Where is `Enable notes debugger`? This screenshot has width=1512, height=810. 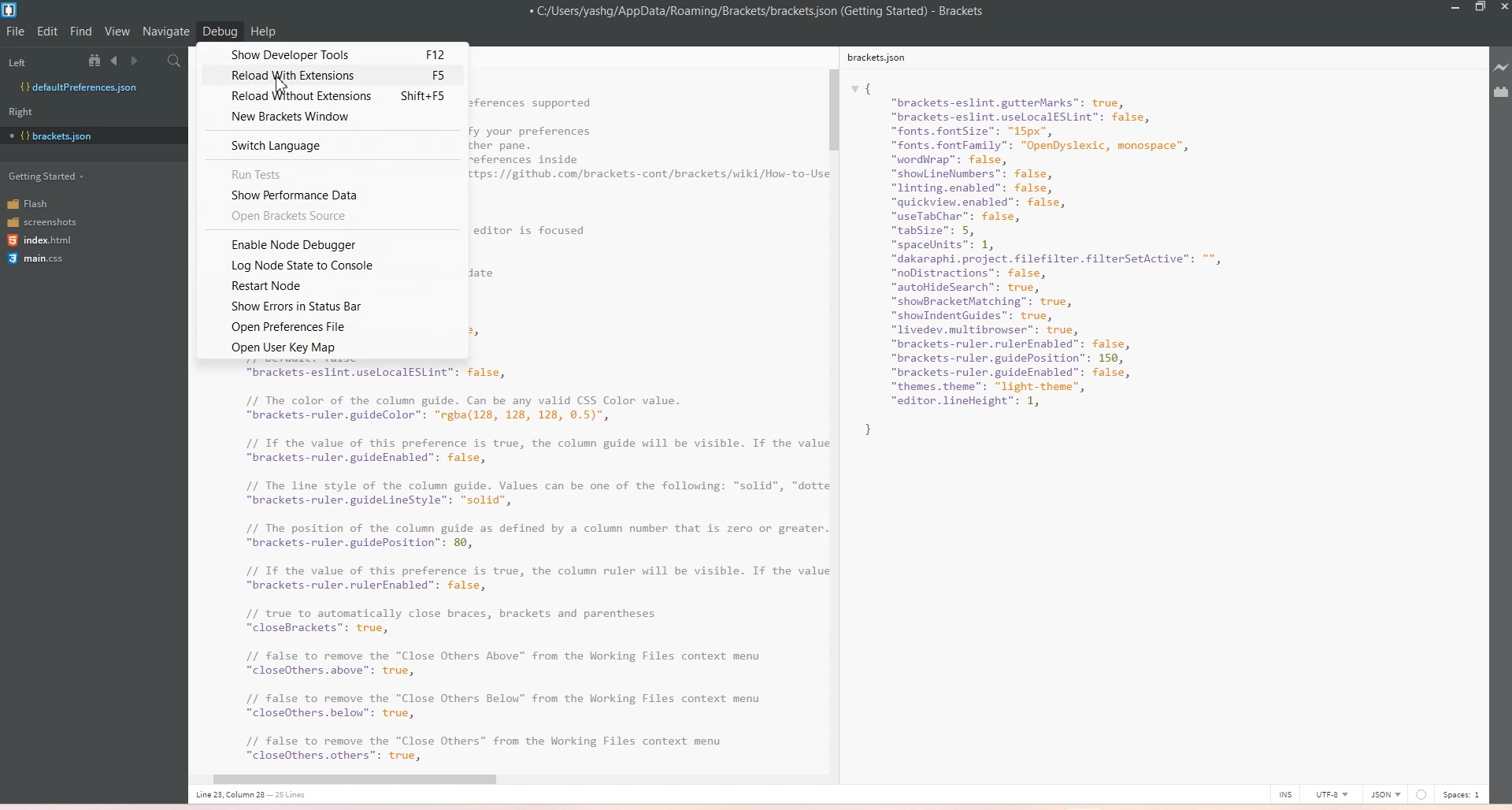
Enable notes debugger is located at coordinates (329, 243).